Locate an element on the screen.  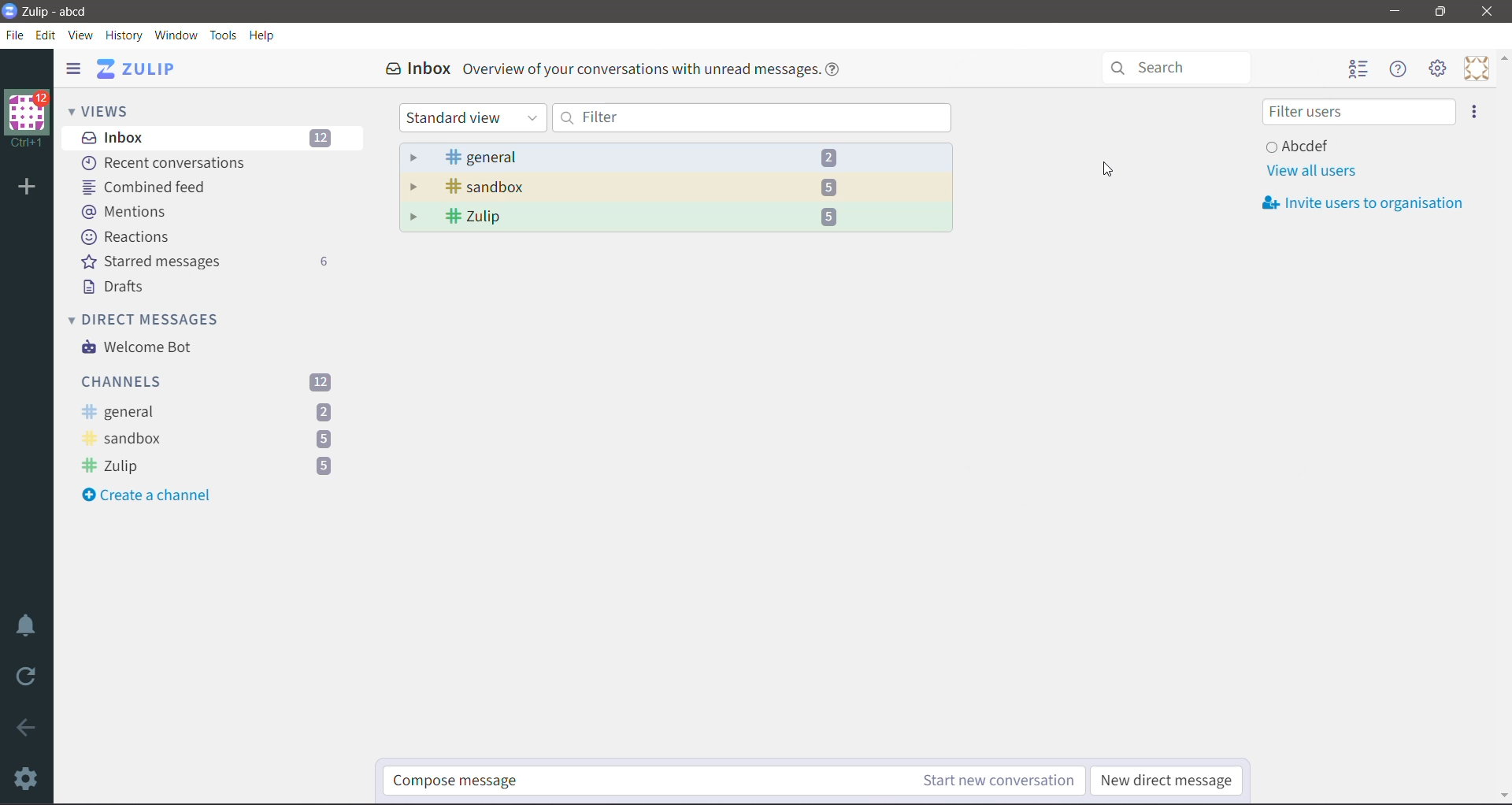
Zulip - 5 is located at coordinates (677, 218).